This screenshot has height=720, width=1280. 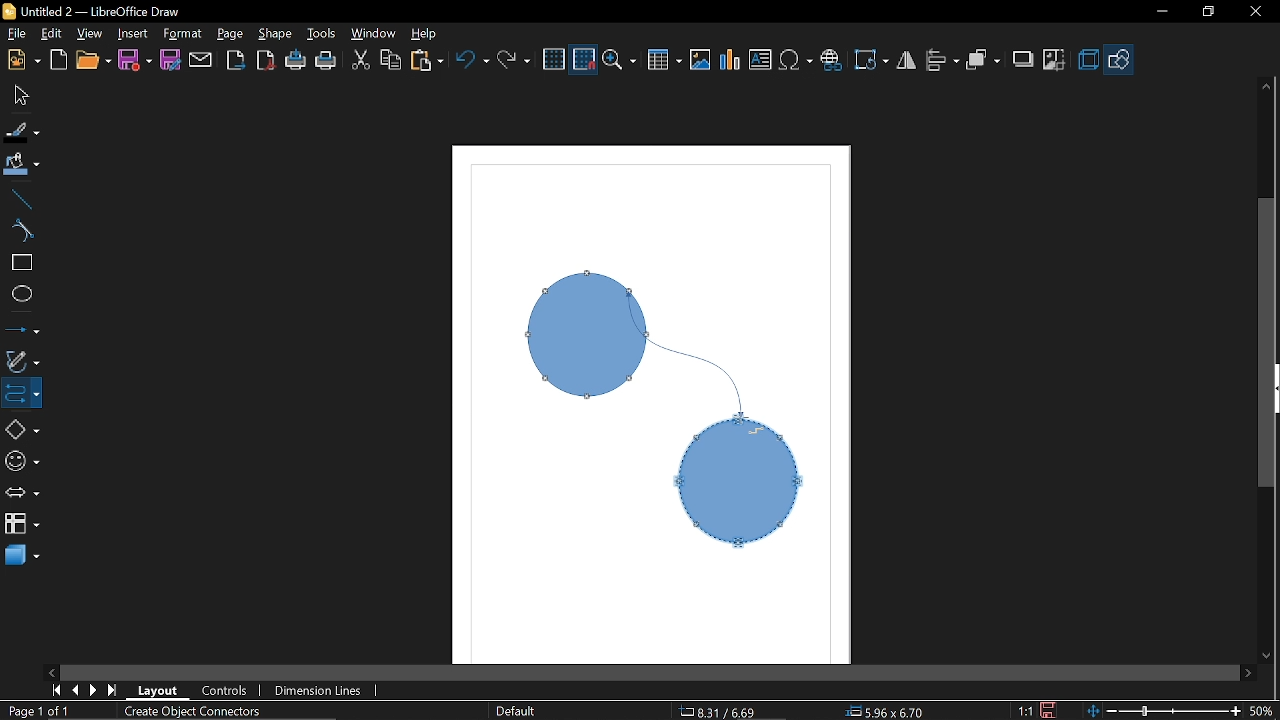 I want to click on rectangle, so click(x=19, y=262).